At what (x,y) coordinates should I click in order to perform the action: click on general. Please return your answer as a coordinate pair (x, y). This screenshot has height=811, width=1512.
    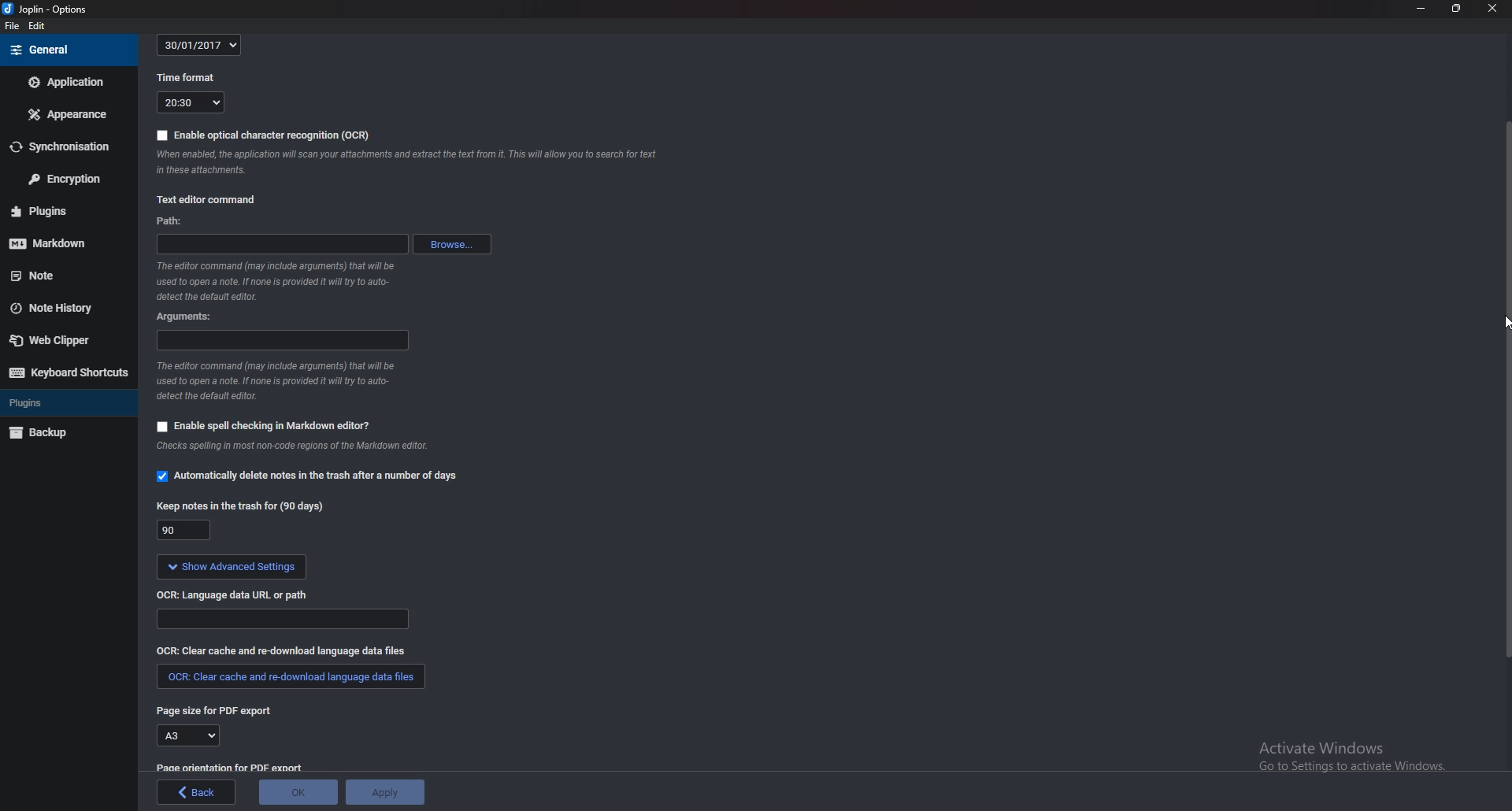
    Looking at the image, I should click on (68, 49).